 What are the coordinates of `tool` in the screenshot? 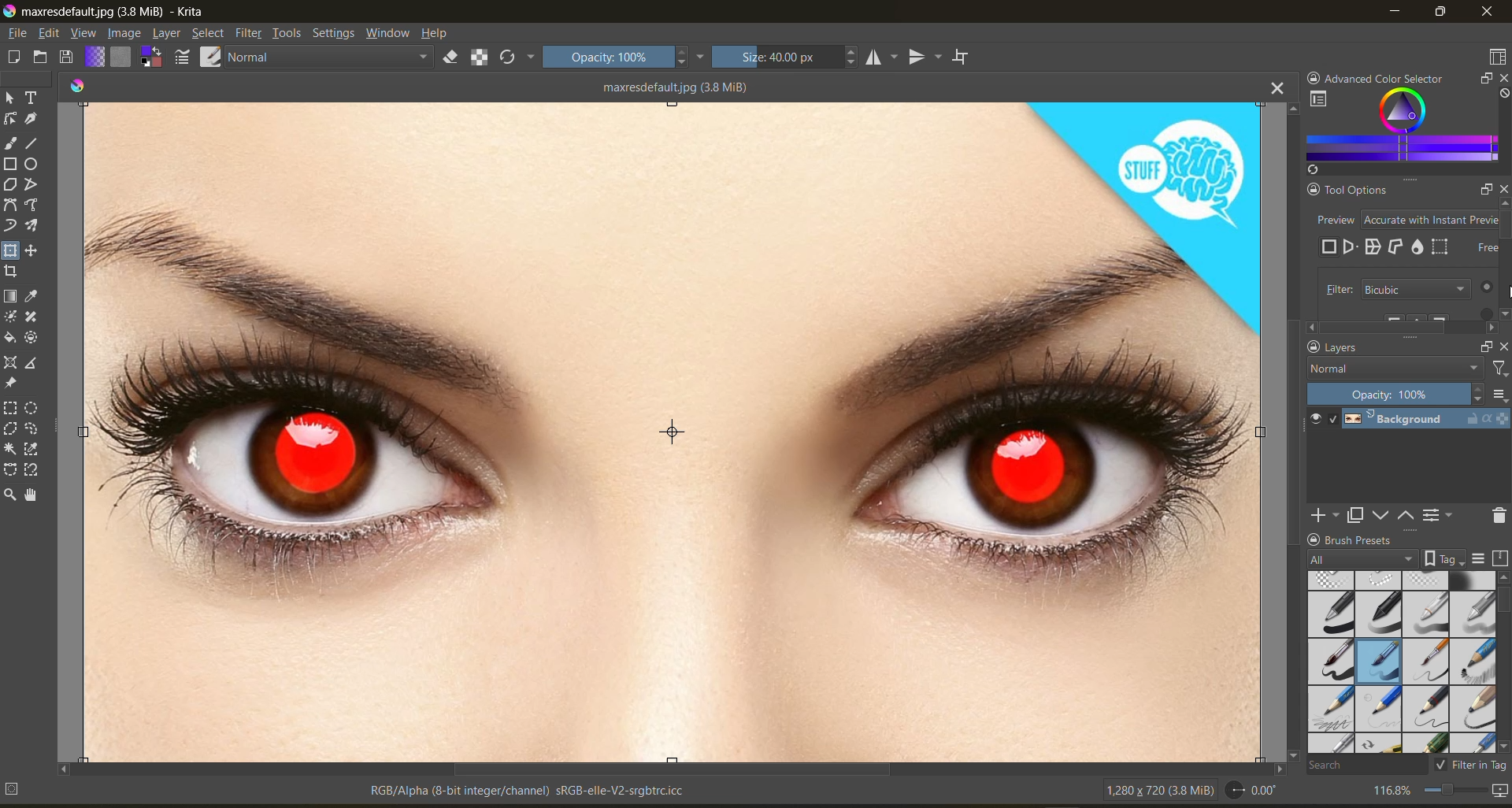 It's located at (9, 362).